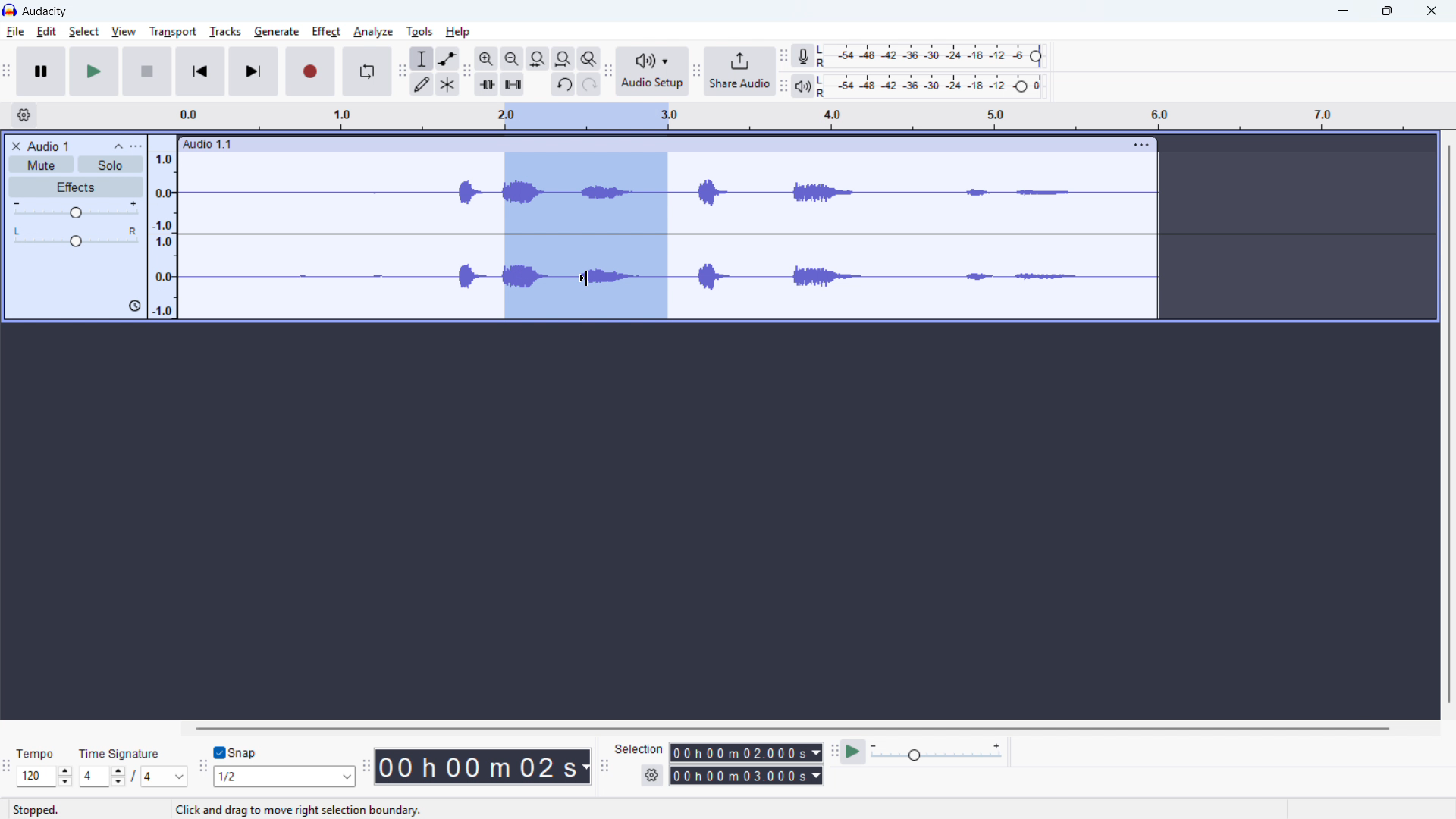 This screenshot has height=819, width=1456. Describe the element at coordinates (200, 72) in the screenshot. I see `Skip to start` at that location.